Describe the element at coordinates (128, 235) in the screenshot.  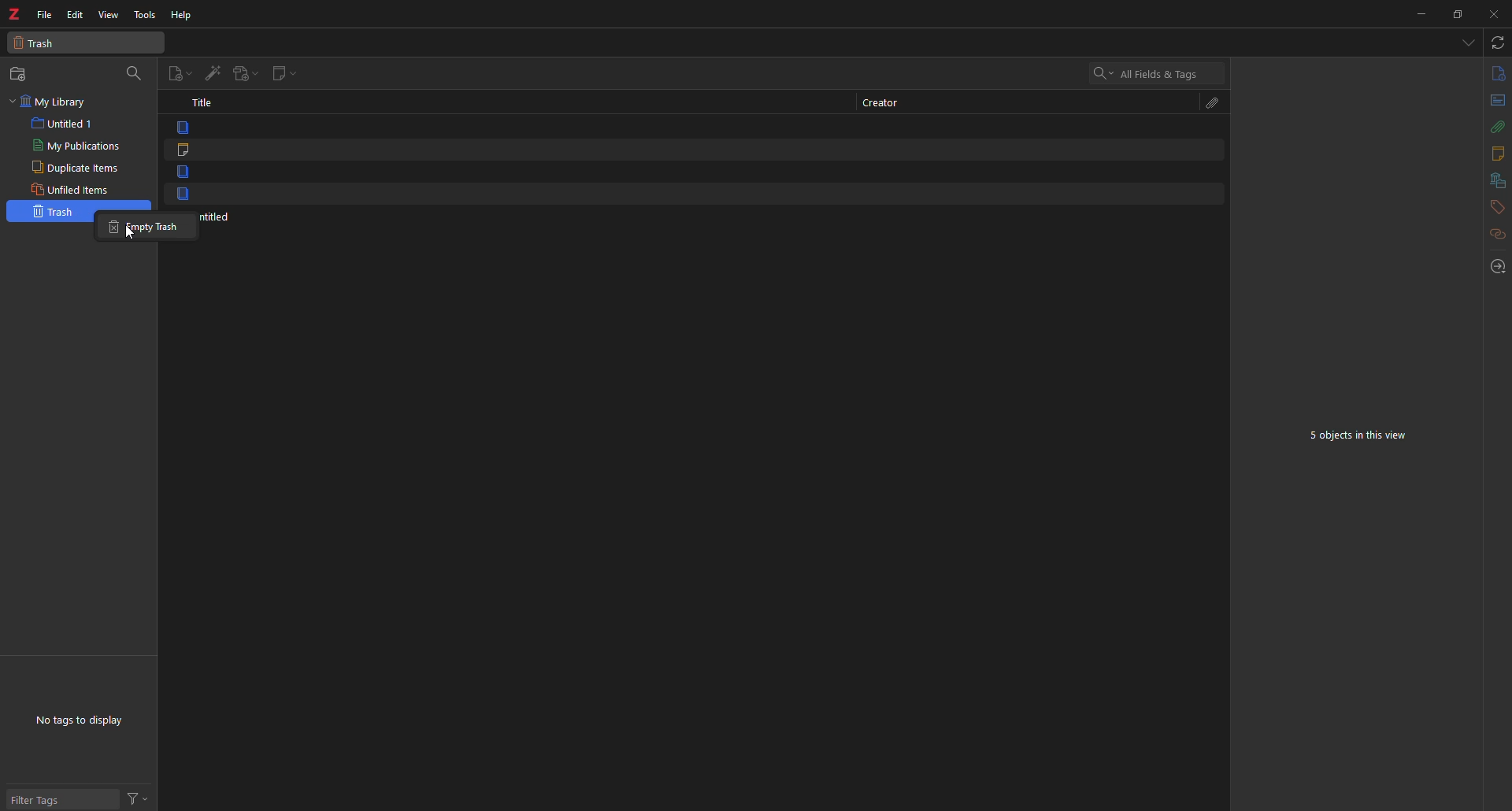
I see `cursor` at that location.